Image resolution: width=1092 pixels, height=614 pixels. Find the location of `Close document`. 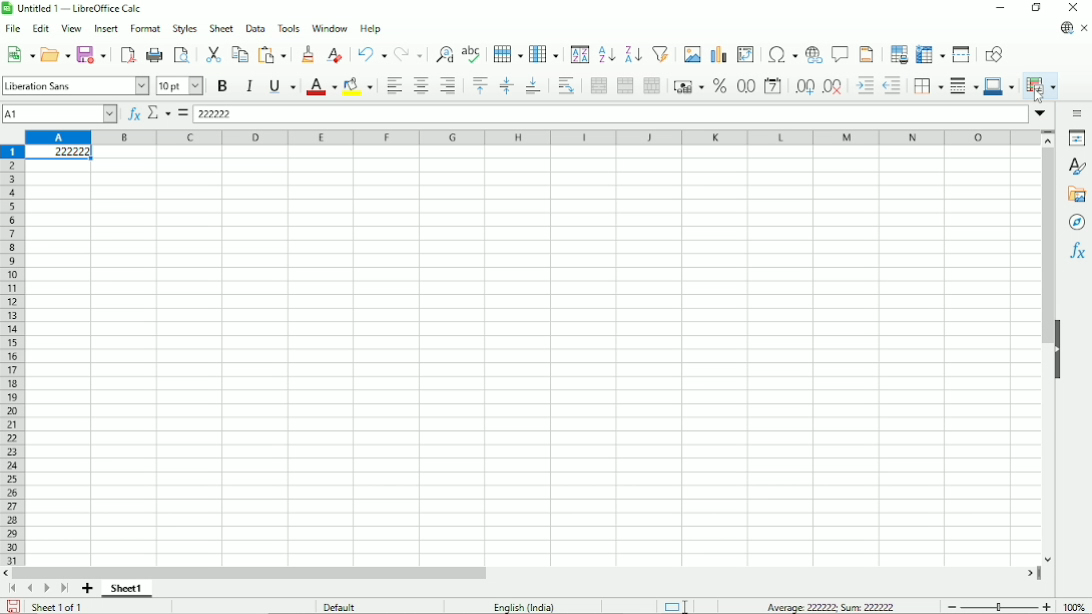

Close document is located at coordinates (1085, 29).